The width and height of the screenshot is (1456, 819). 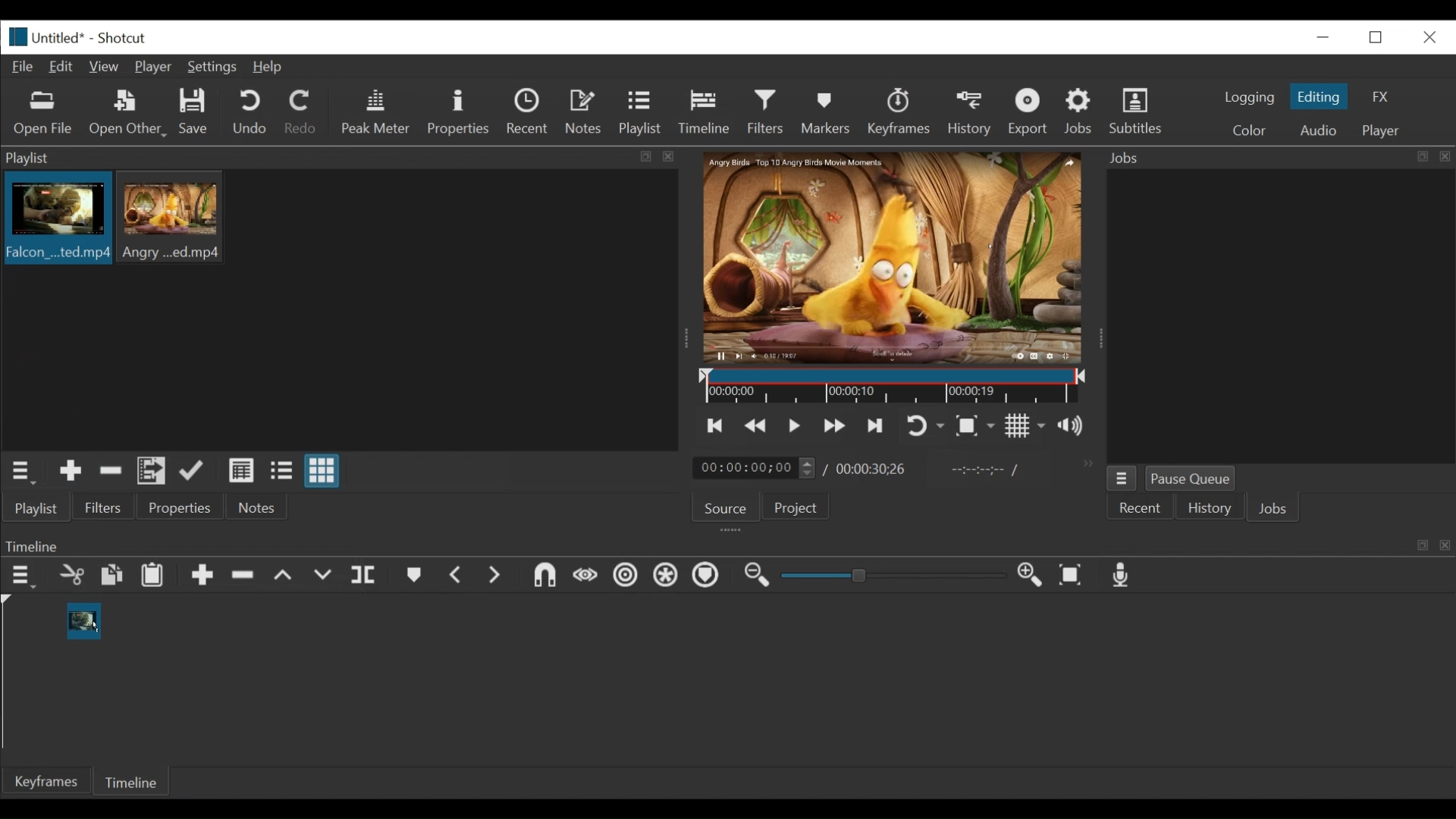 I want to click on Total duration, so click(x=876, y=469).